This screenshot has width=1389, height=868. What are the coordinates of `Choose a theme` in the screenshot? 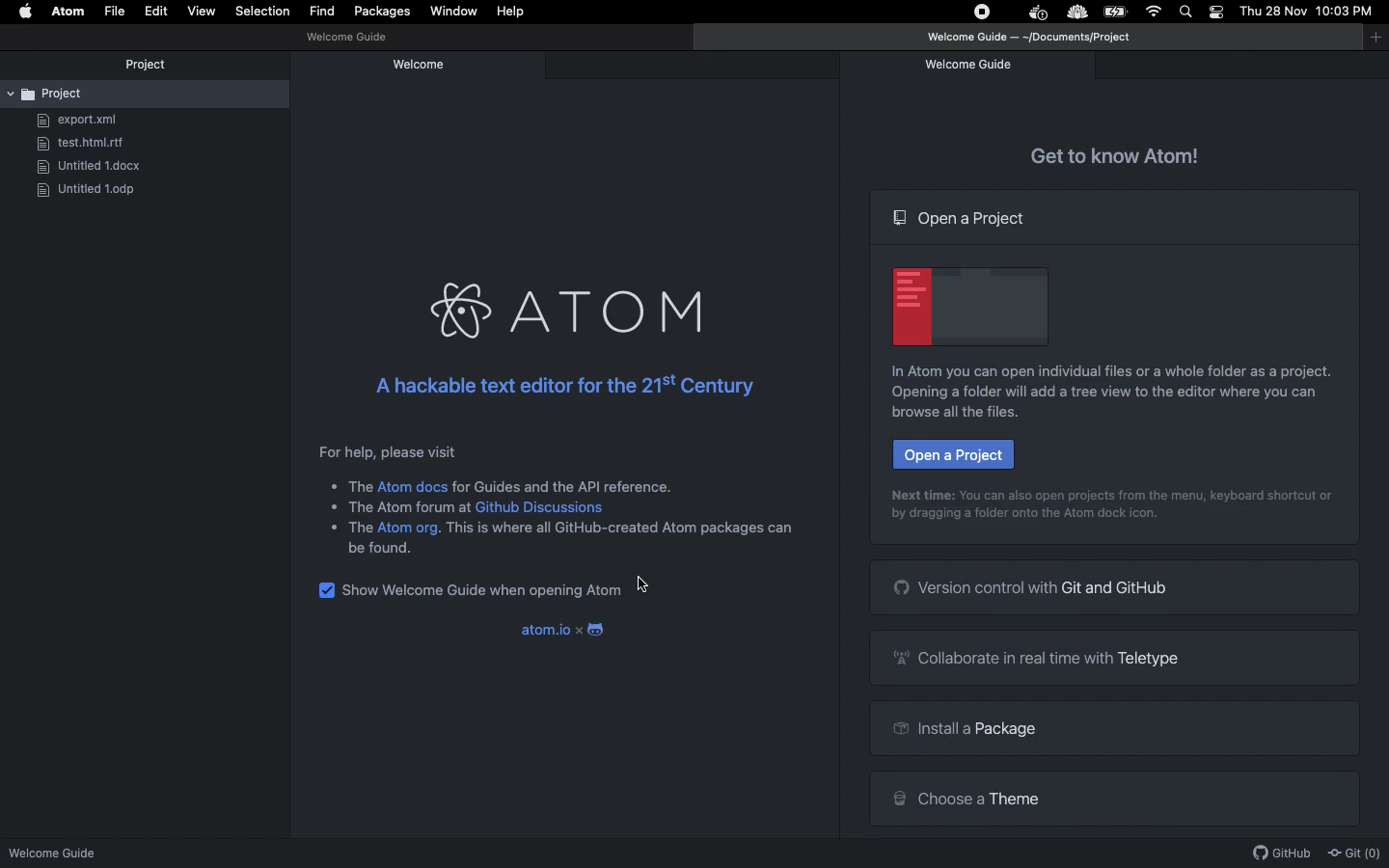 It's located at (969, 800).